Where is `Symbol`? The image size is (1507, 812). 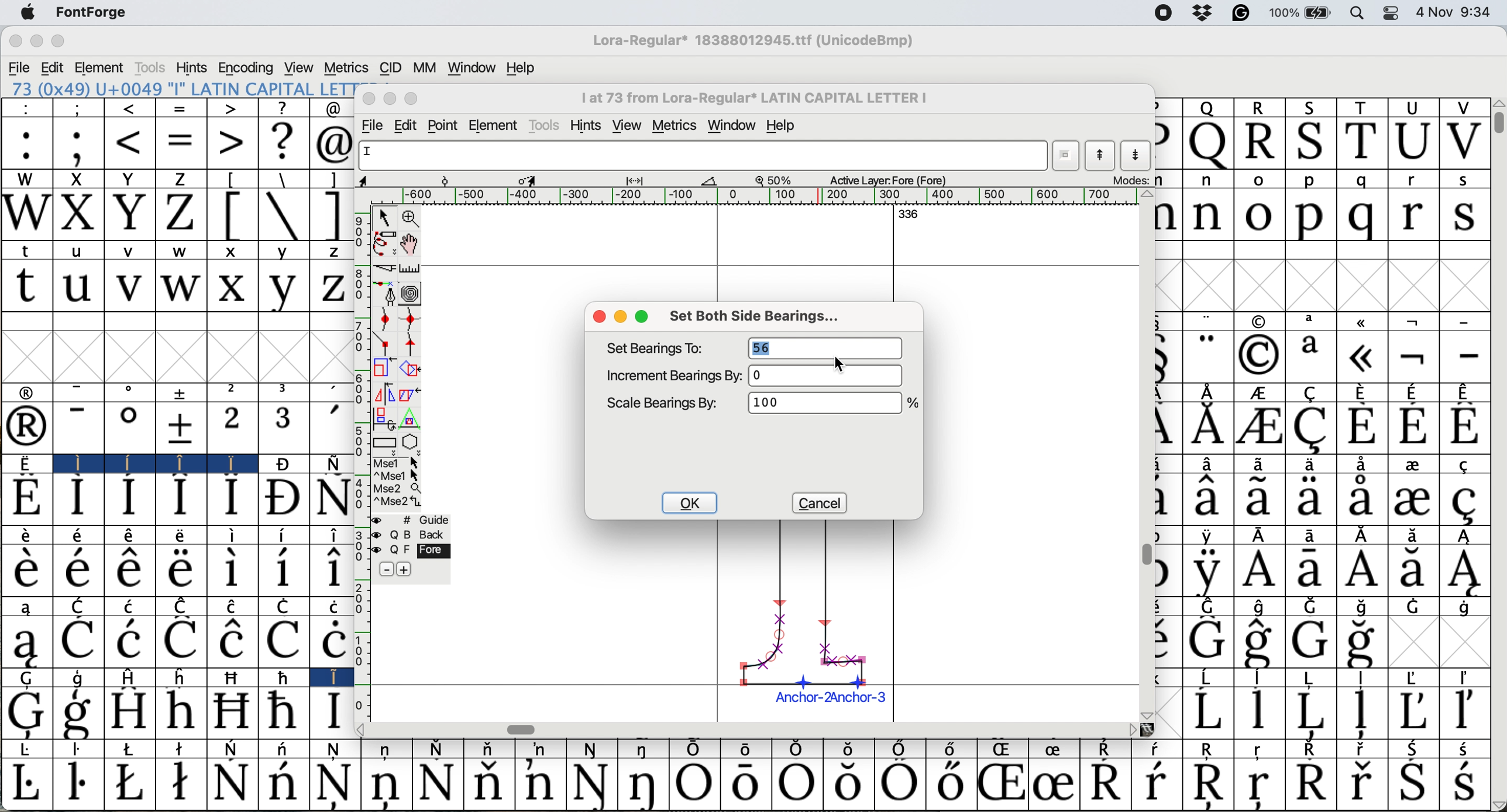
Symbol is located at coordinates (26, 534).